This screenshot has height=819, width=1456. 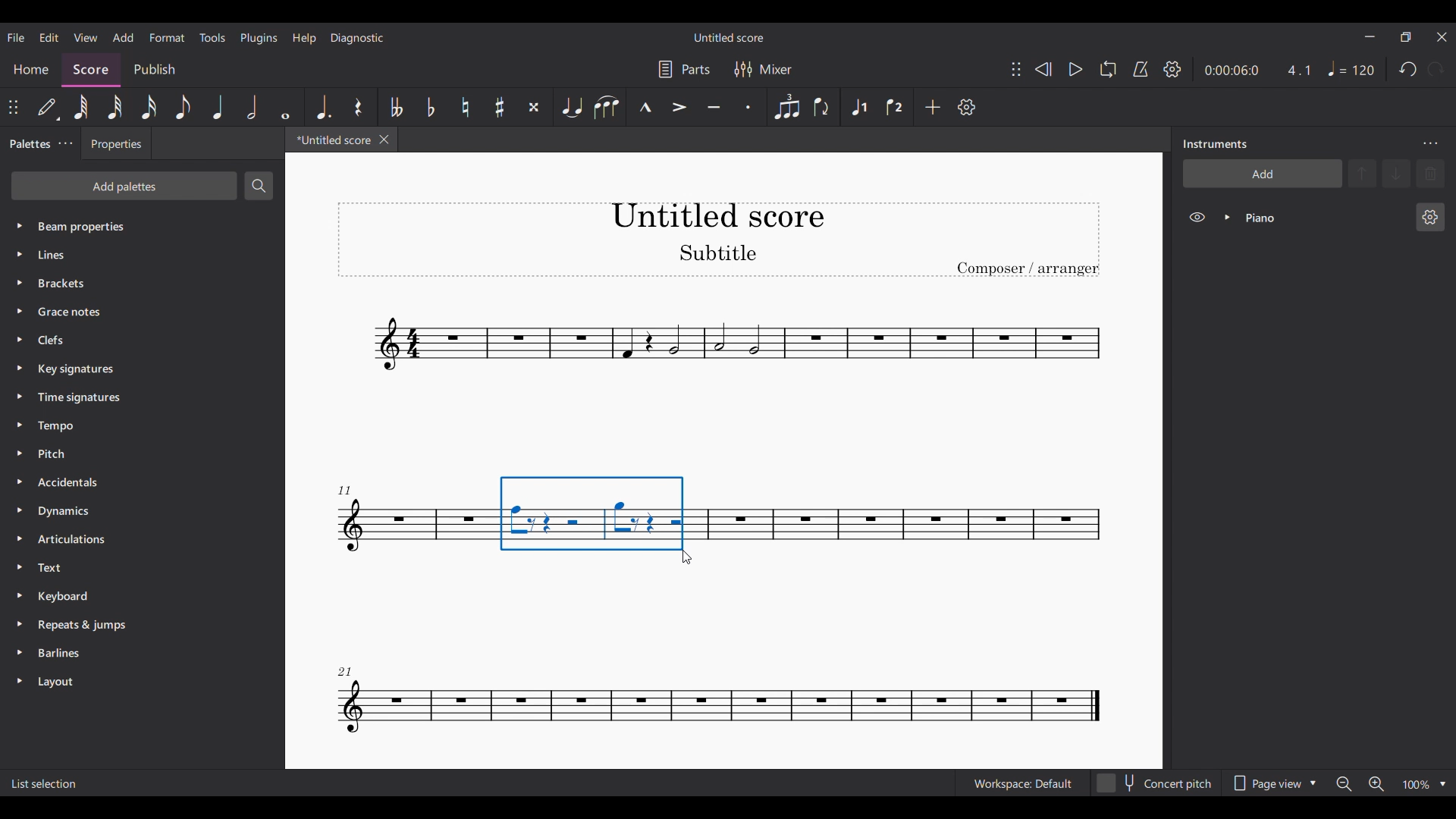 What do you see at coordinates (167, 37) in the screenshot?
I see `Format menu` at bounding box center [167, 37].